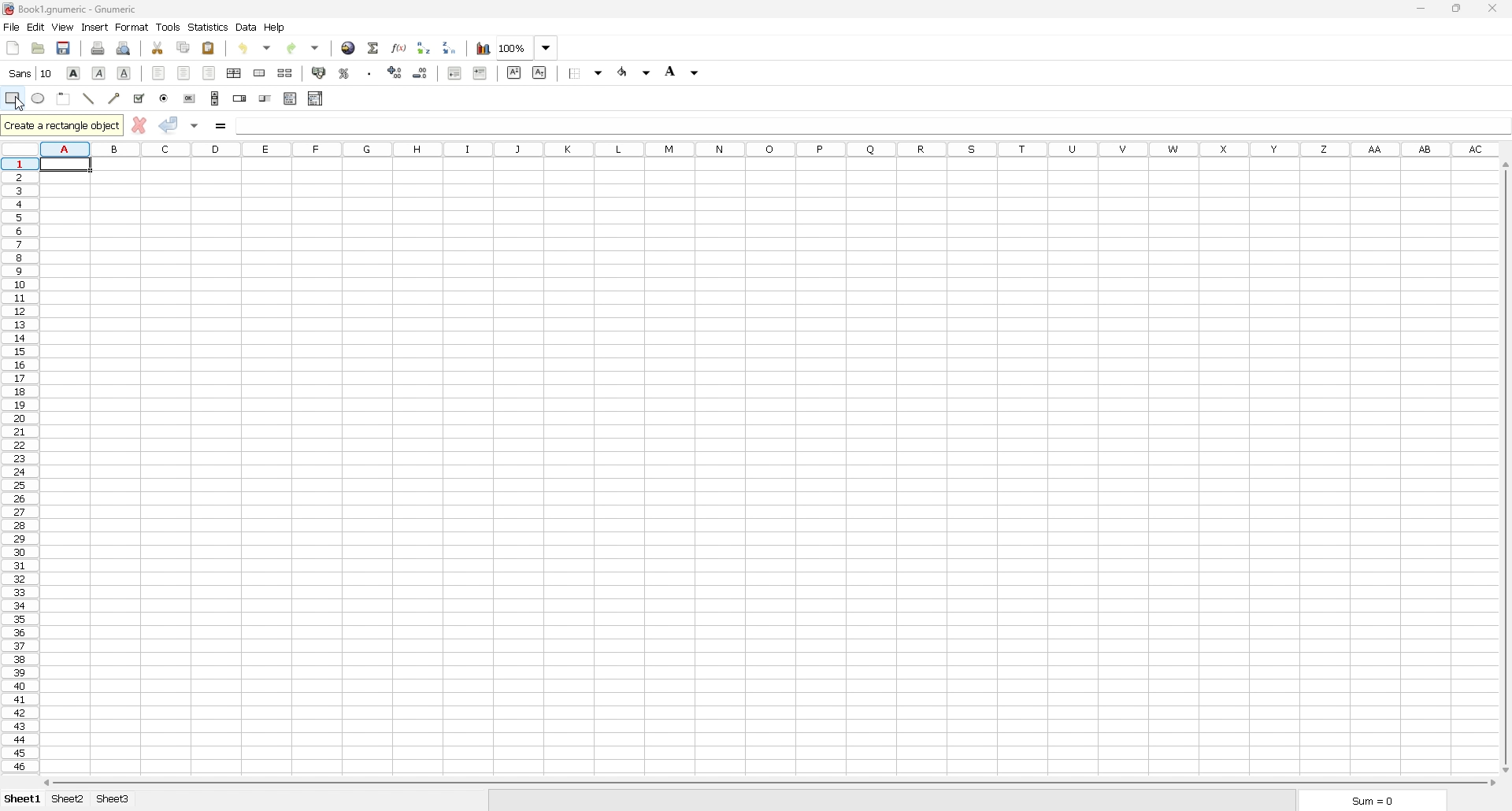 The image size is (1512, 811). Describe the element at coordinates (183, 72) in the screenshot. I see `centre` at that location.